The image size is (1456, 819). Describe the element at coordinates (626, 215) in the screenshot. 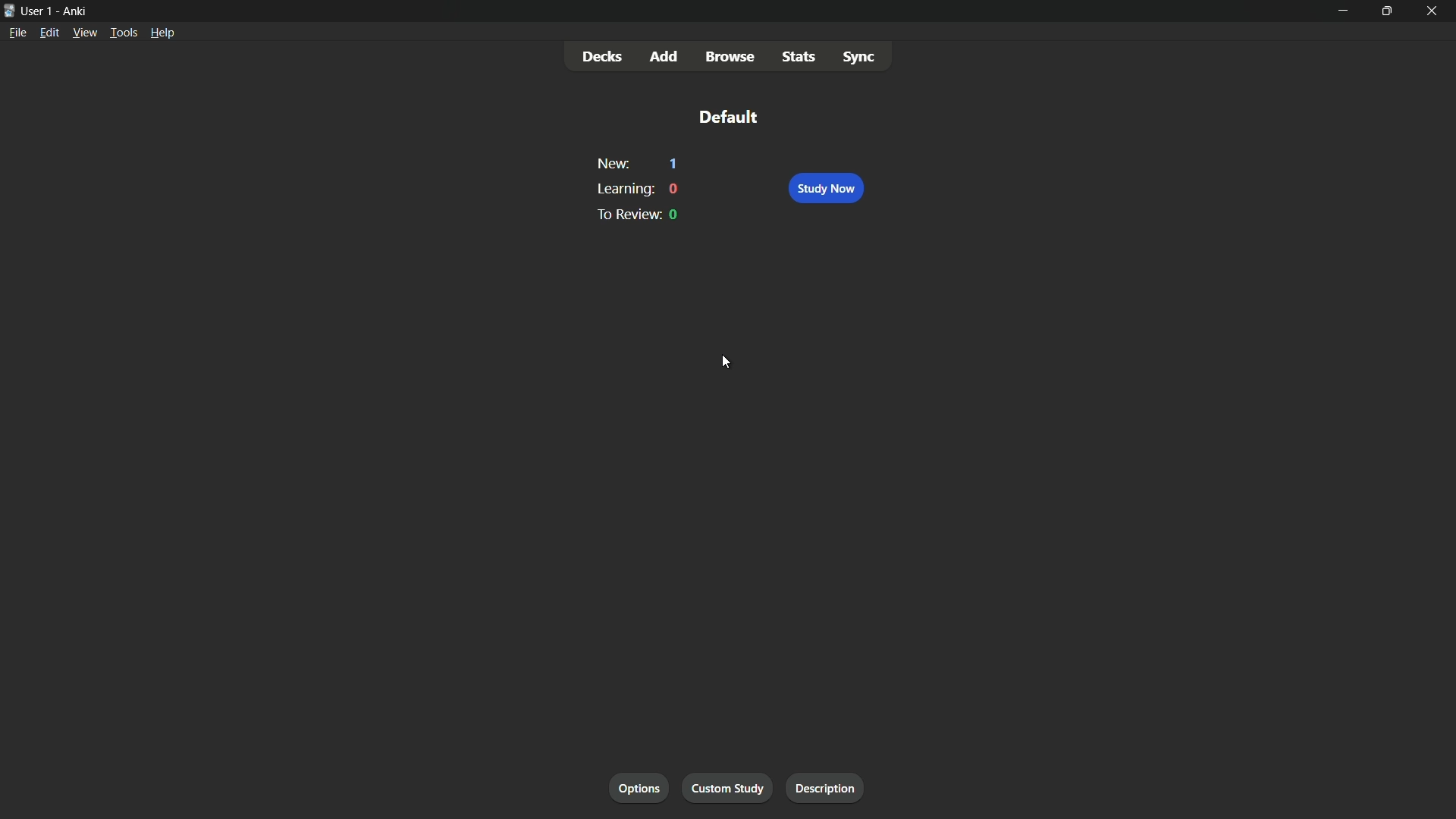

I see `to preview` at that location.